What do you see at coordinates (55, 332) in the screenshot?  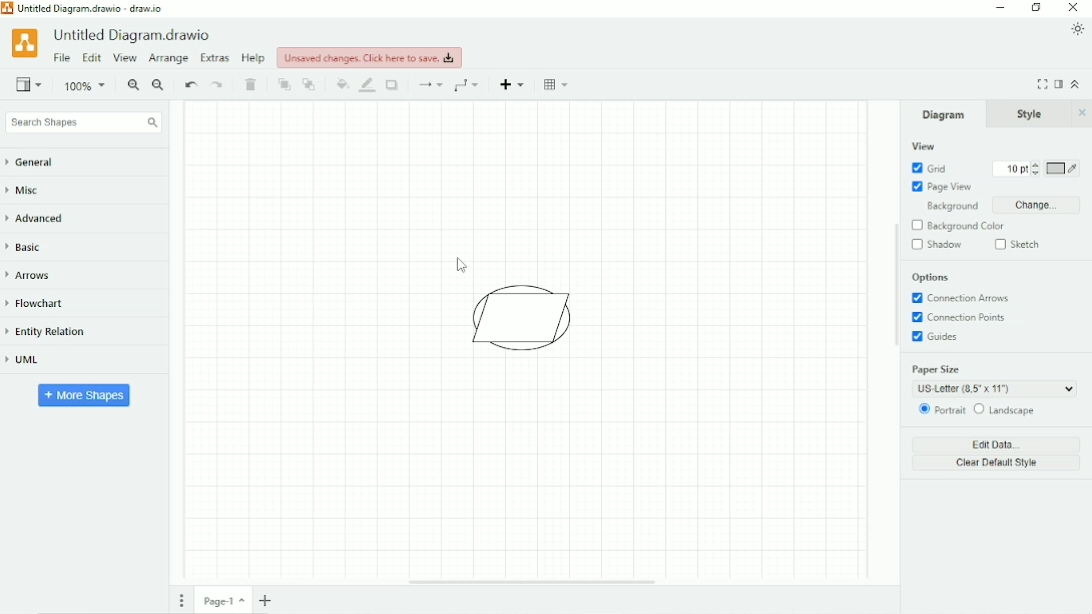 I see `Entity relation` at bounding box center [55, 332].